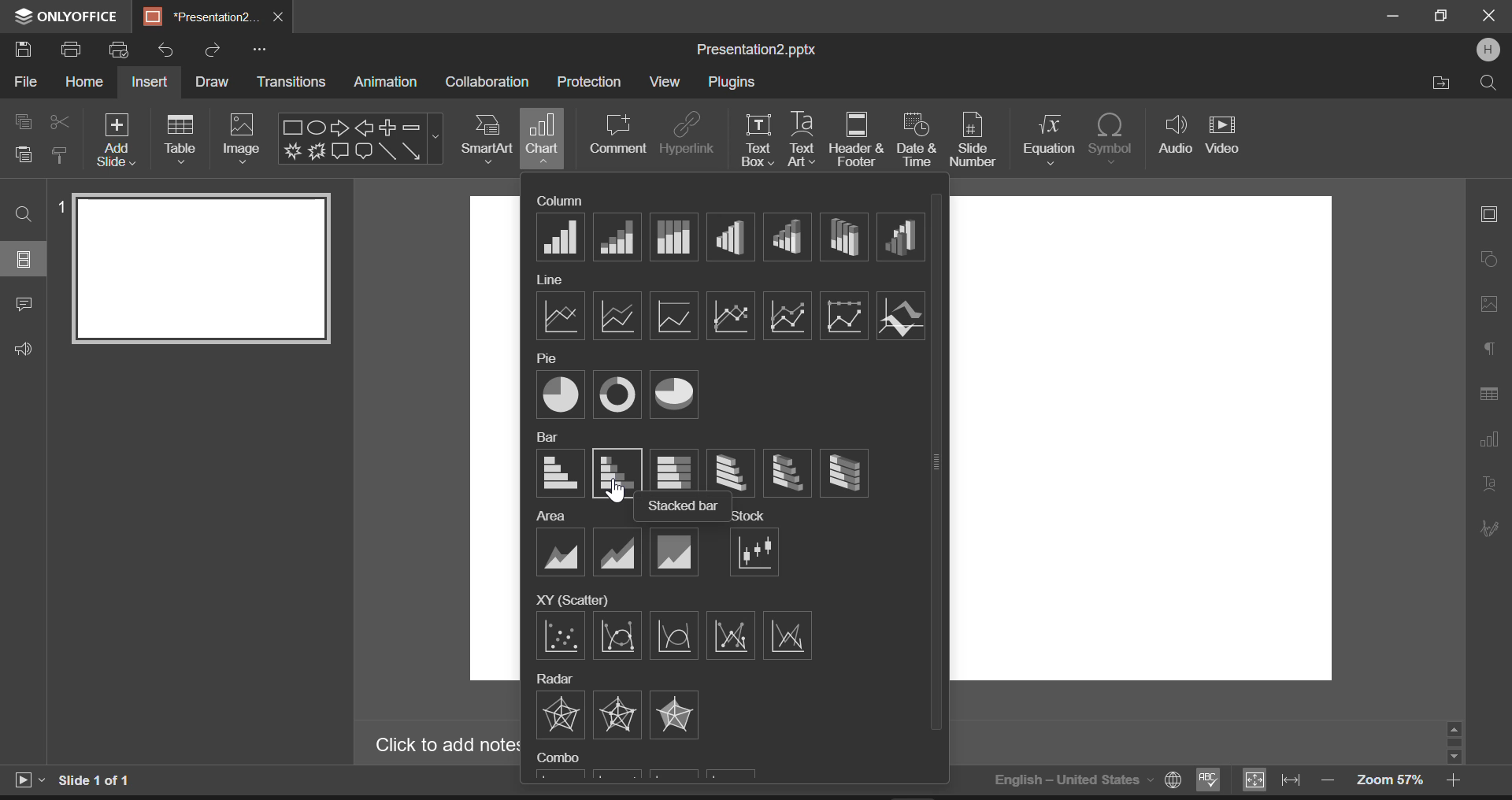 This screenshot has width=1512, height=800. What do you see at coordinates (1488, 486) in the screenshot?
I see `Text Art Settings` at bounding box center [1488, 486].